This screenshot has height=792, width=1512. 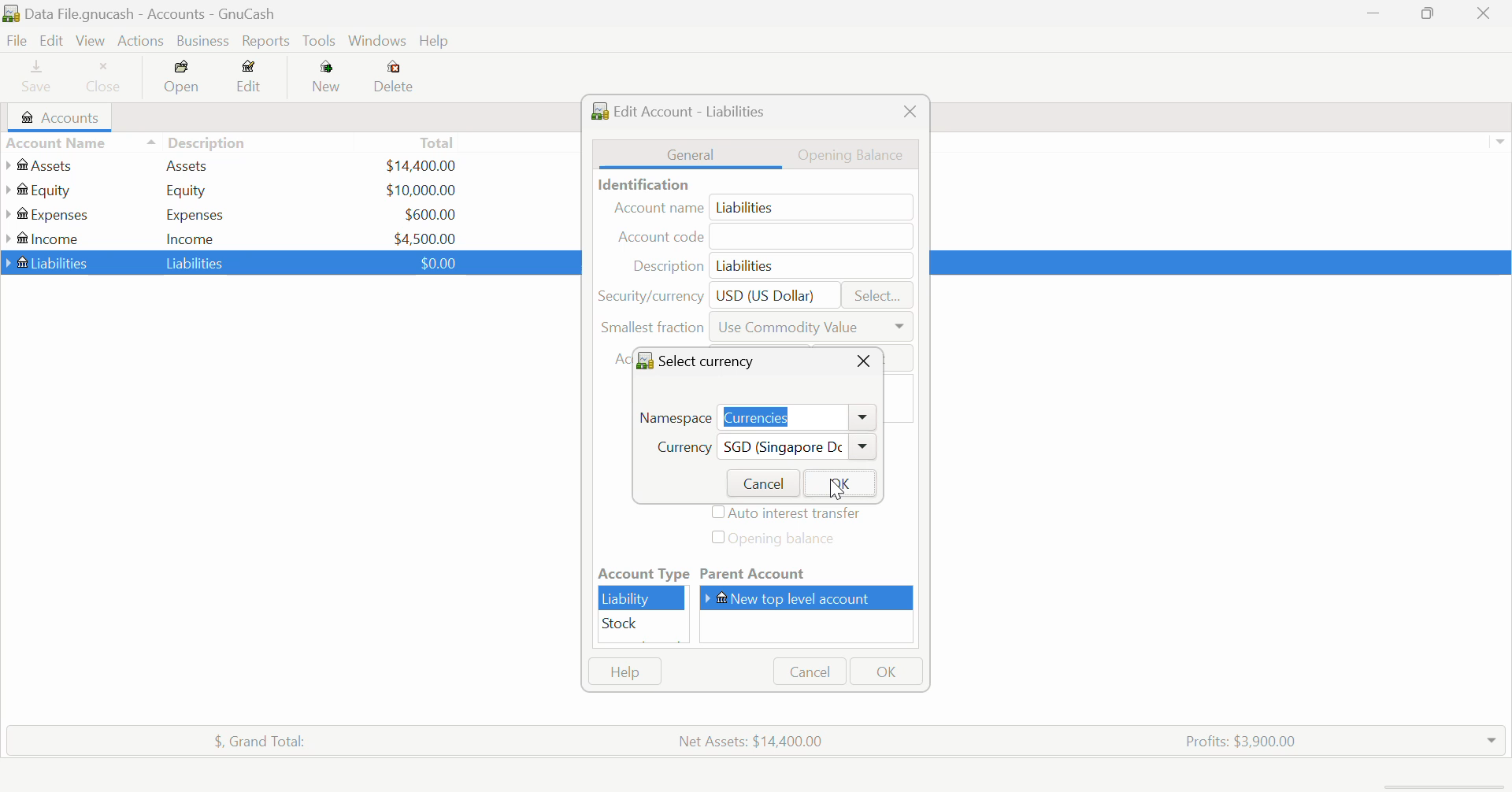 What do you see at coordinates (761, 208) in the screenshot?
I see `Account name: Liabilities` at bounding box center [761, 208].